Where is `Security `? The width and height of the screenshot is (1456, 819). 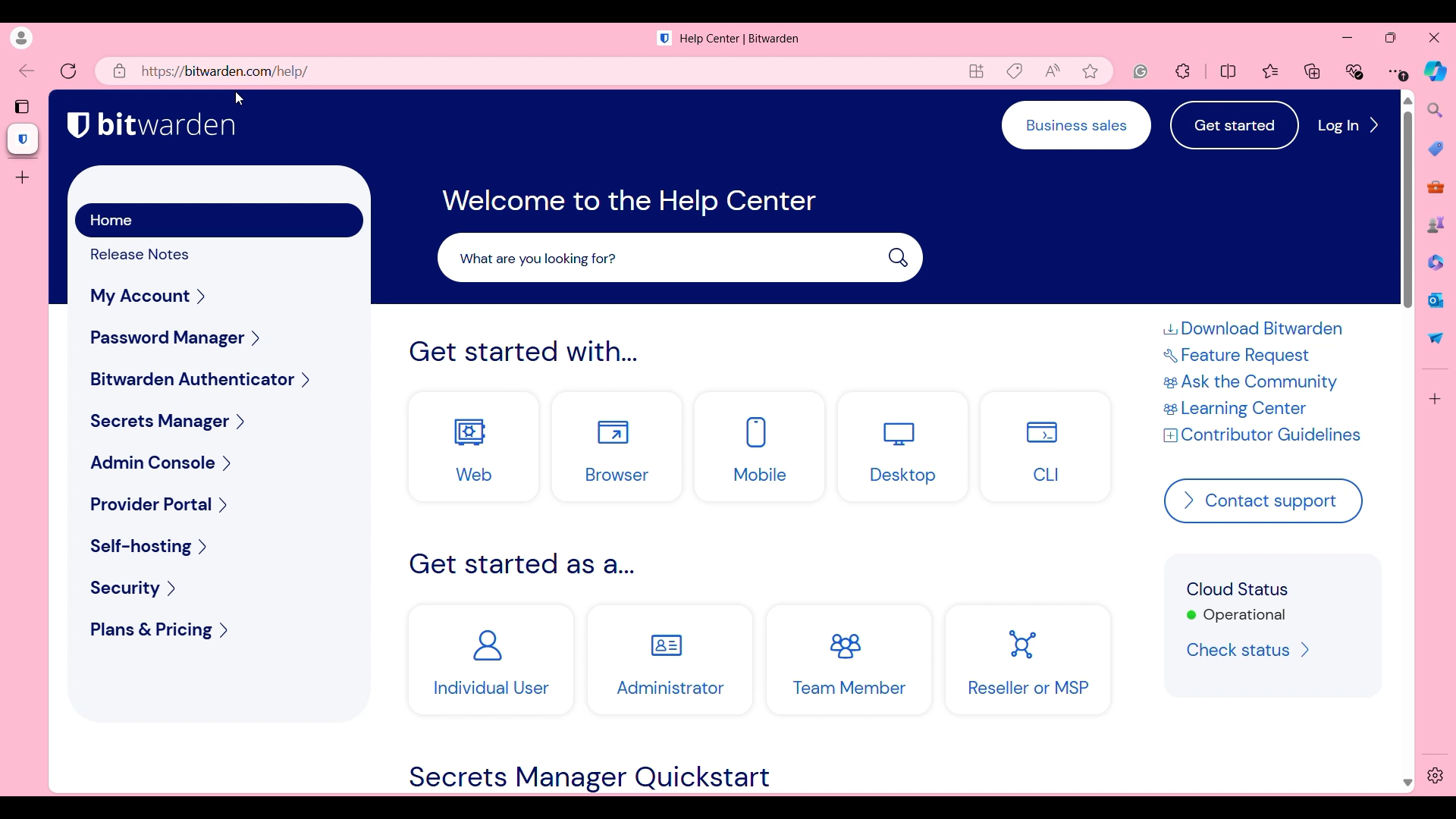 Security  is located at coordinates (223, 588).